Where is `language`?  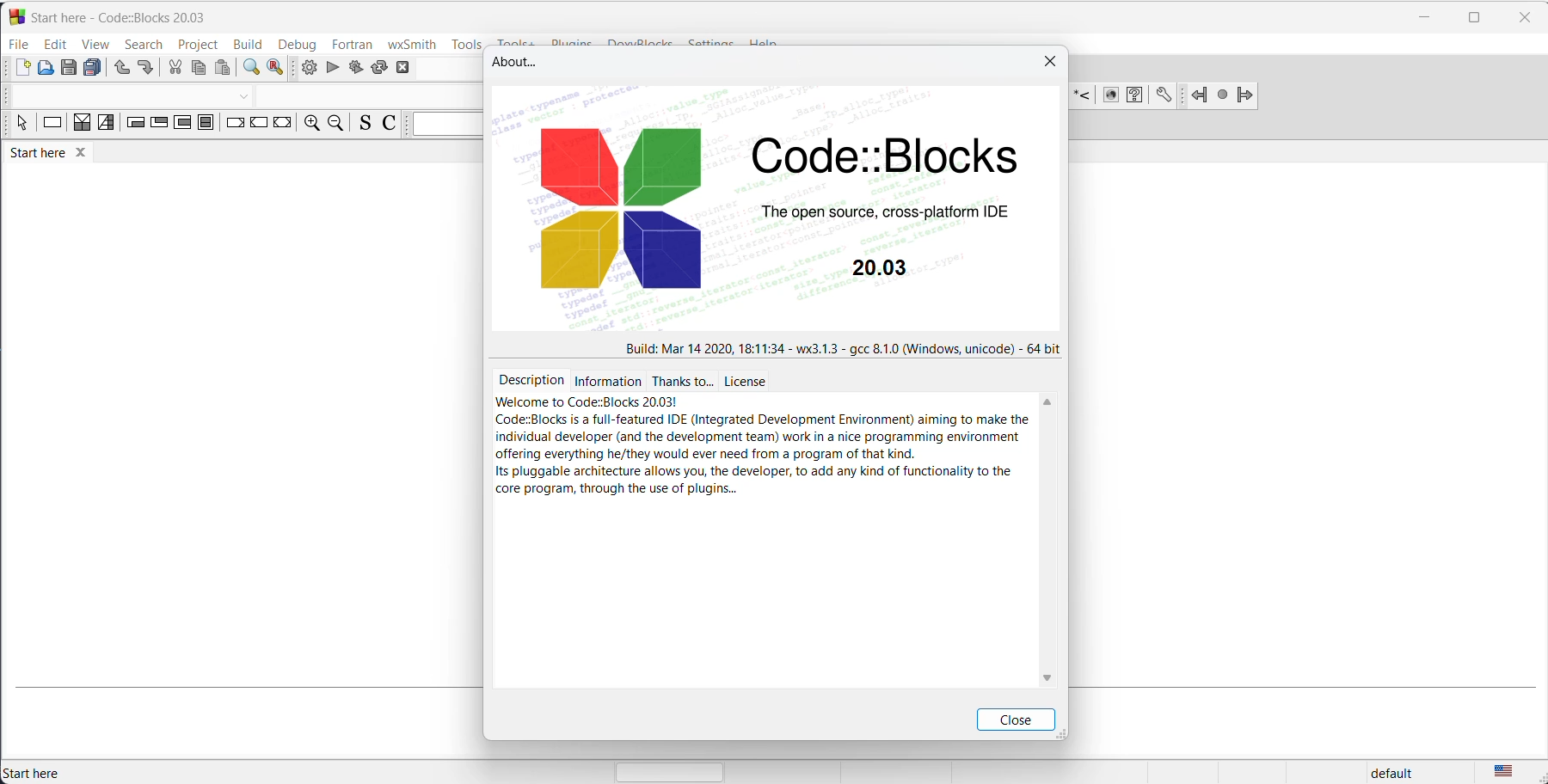
language is located at coordinates (1514, 772).